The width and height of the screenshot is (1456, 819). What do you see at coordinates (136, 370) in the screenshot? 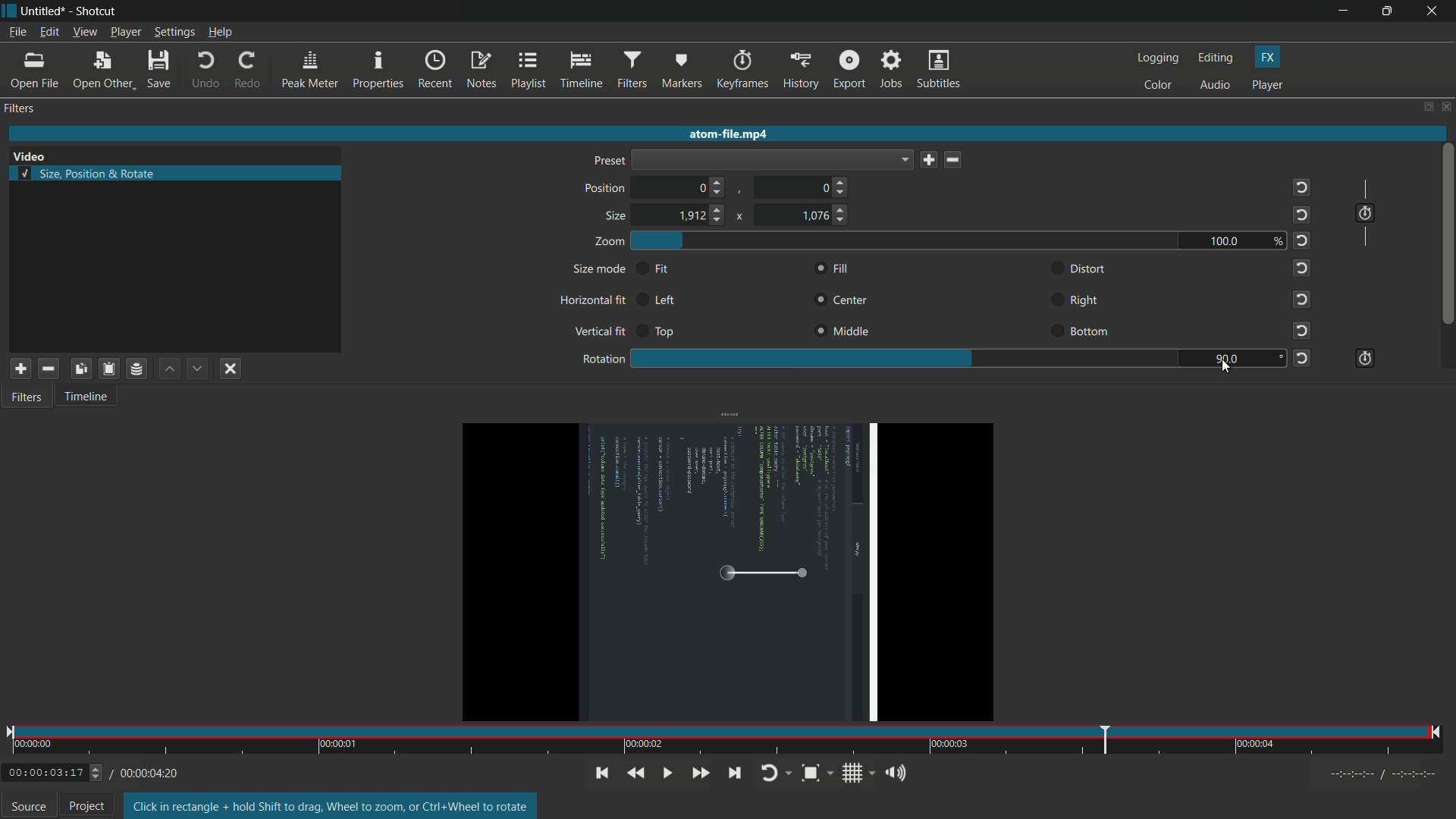
I see `save filter set` at bounding box center [136, 370].